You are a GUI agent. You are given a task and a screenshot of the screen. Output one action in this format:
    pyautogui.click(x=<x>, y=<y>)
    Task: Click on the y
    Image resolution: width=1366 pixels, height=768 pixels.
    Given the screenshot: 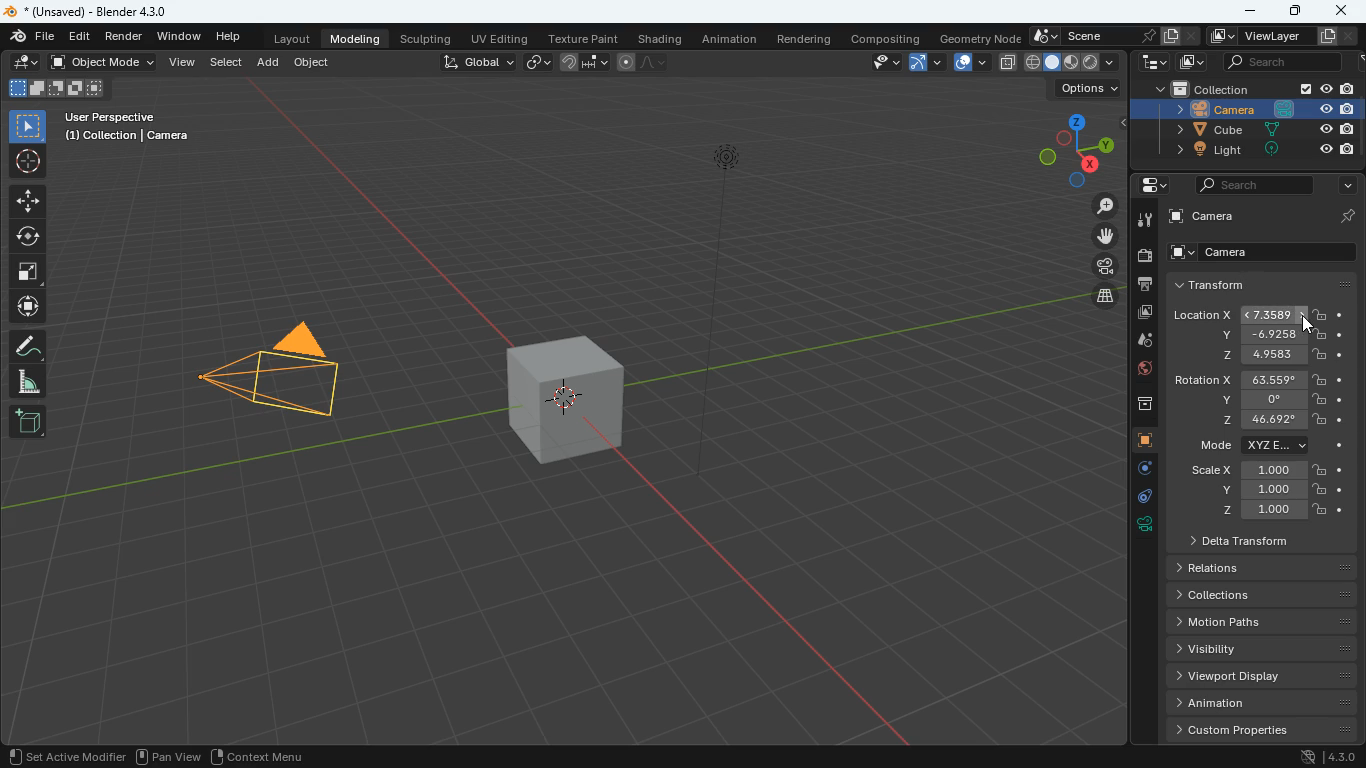 What is the action you would take?
    pyautogui.click(x=1270, y=490)
    